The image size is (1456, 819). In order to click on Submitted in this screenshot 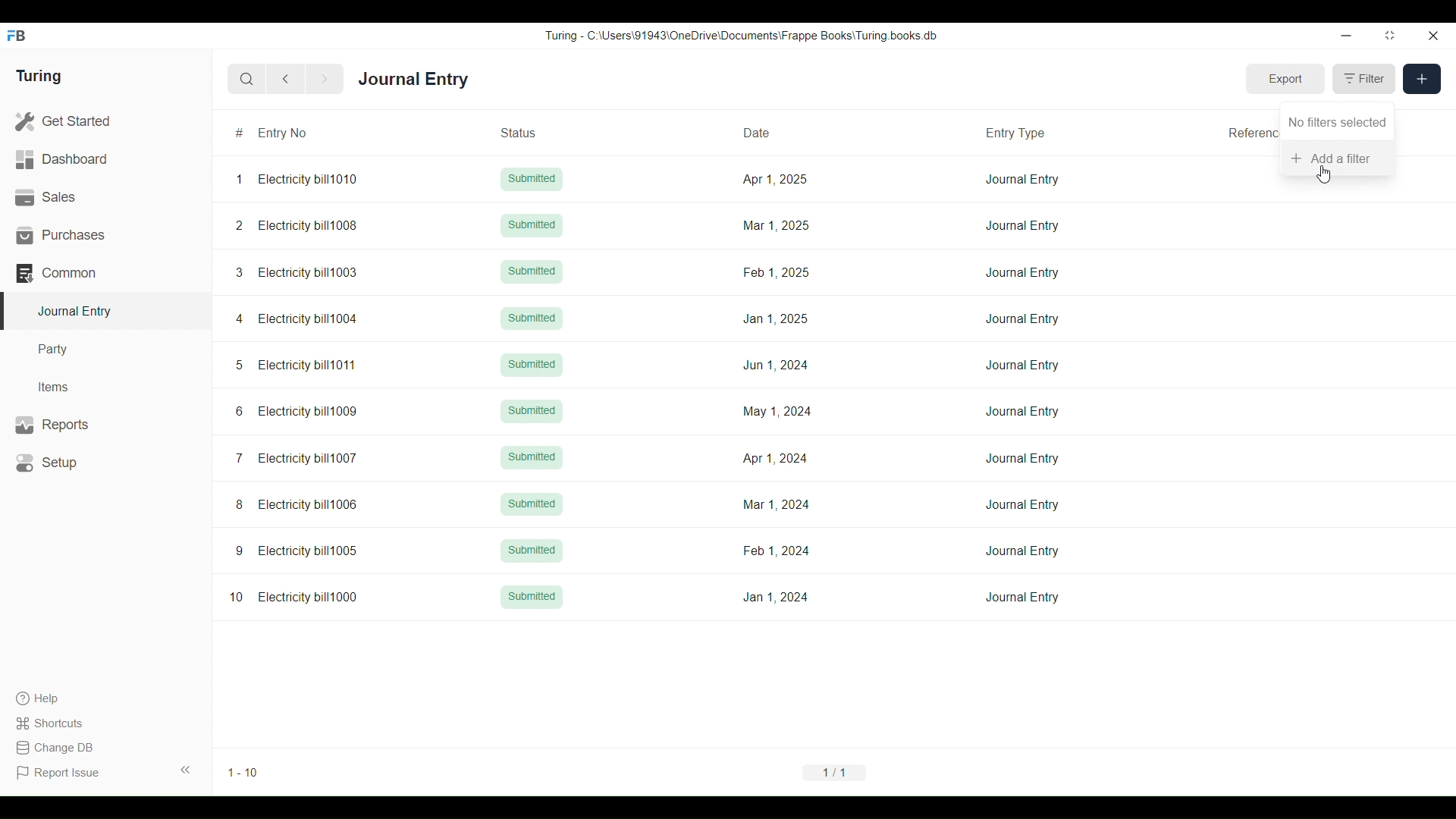, I will do `click(532, 225)`.